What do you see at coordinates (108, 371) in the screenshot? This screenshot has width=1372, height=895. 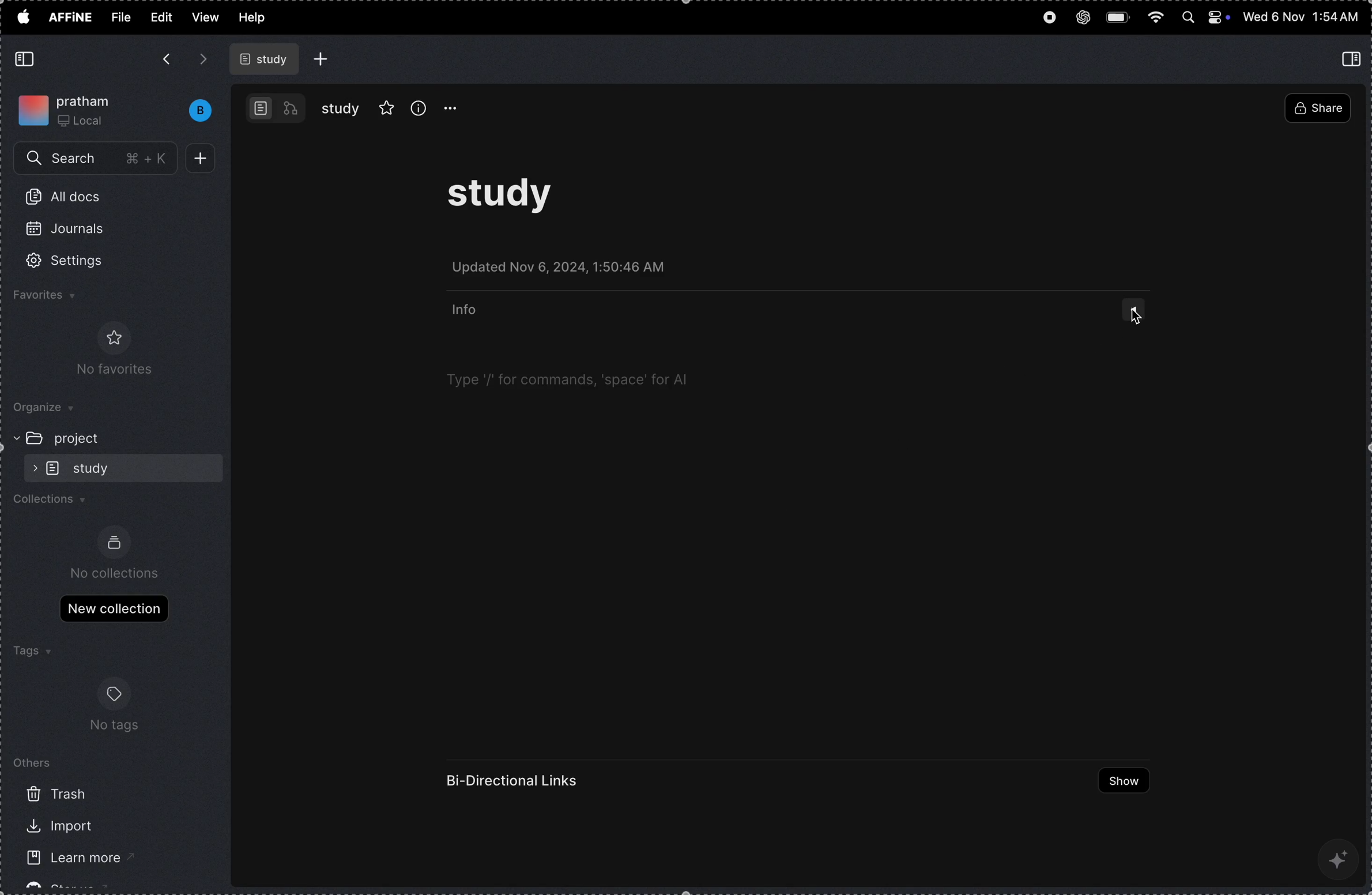 I see `No favorites` at bounding box center [108, 371].